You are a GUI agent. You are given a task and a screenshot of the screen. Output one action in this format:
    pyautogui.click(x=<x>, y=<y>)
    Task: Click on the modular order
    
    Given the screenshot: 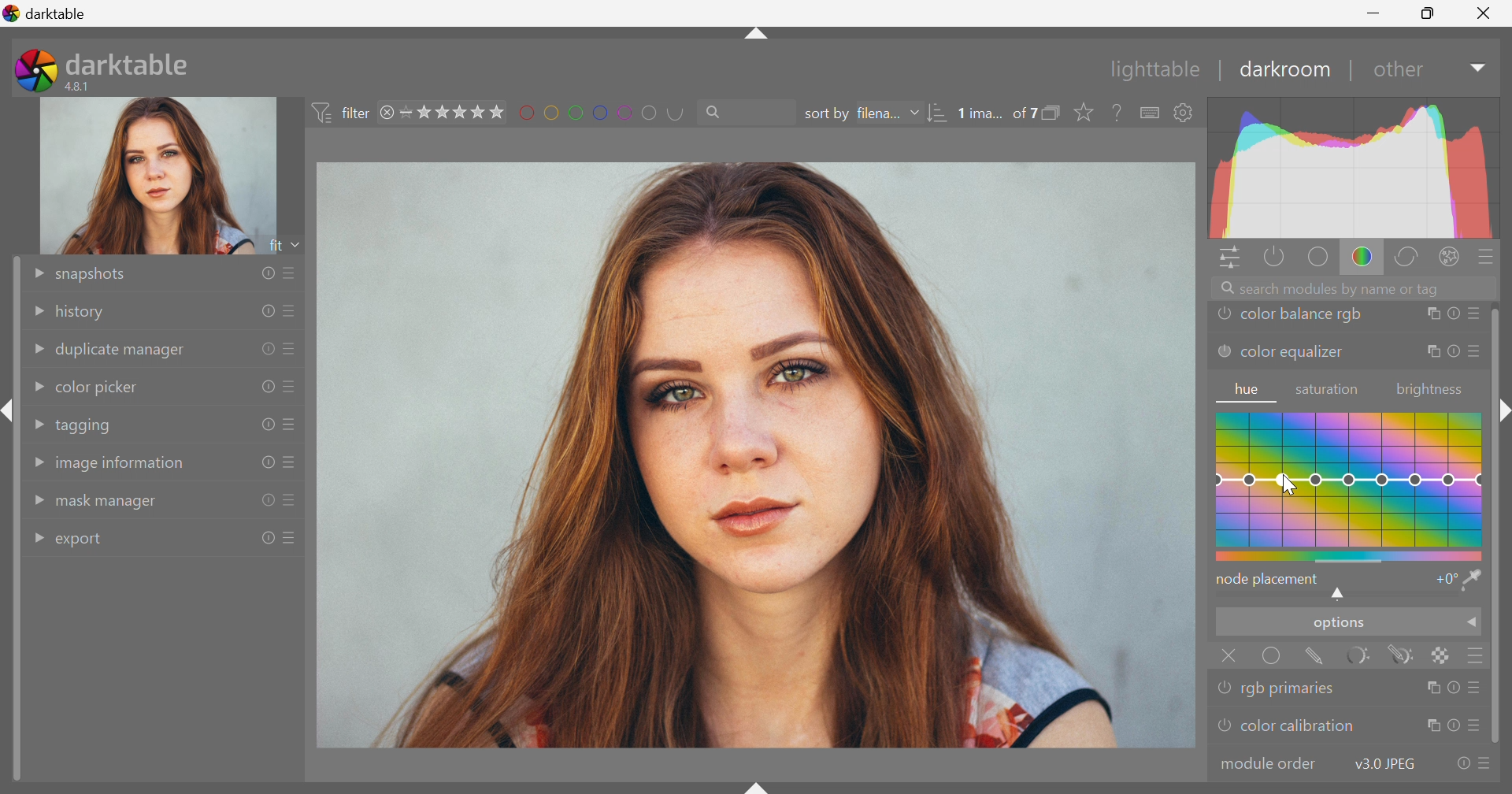 What is the action you would take?
    pyautogui.click(x=1269, y=762)
    